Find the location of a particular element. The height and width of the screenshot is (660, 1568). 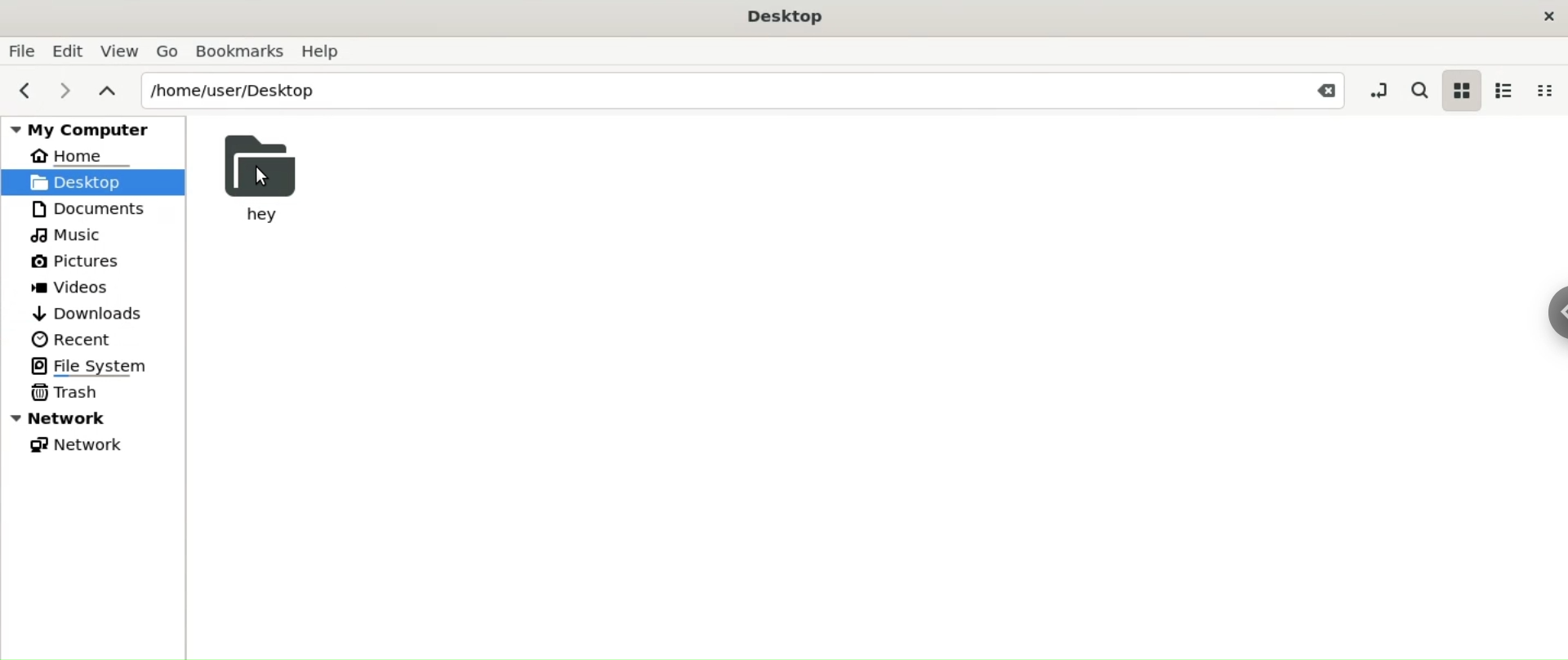

File is located at coordinates (22, 50).